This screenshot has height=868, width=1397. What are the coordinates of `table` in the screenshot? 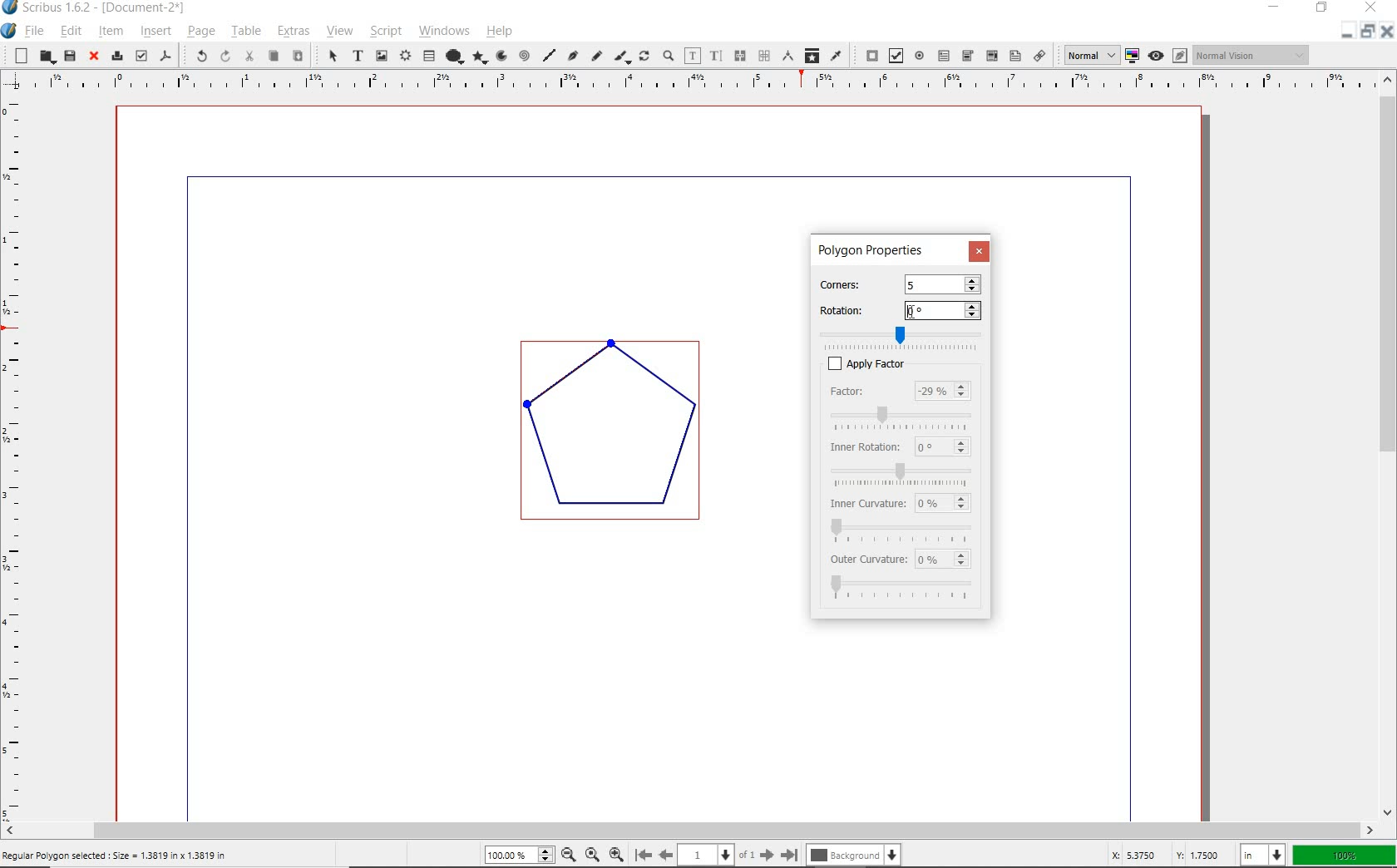 It's located at (245, 32).